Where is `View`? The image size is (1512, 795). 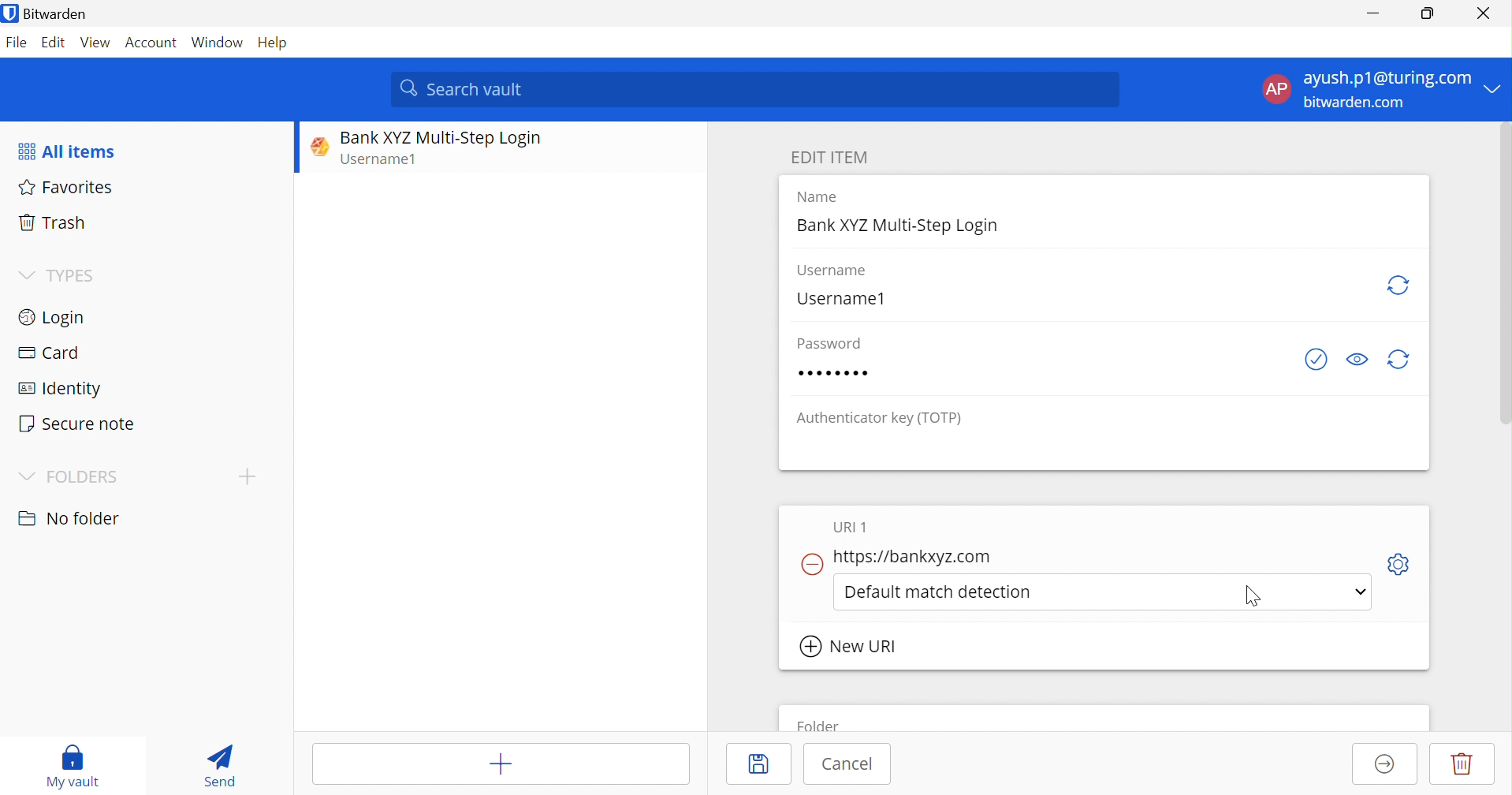 View is located at coordinates (96, 43).